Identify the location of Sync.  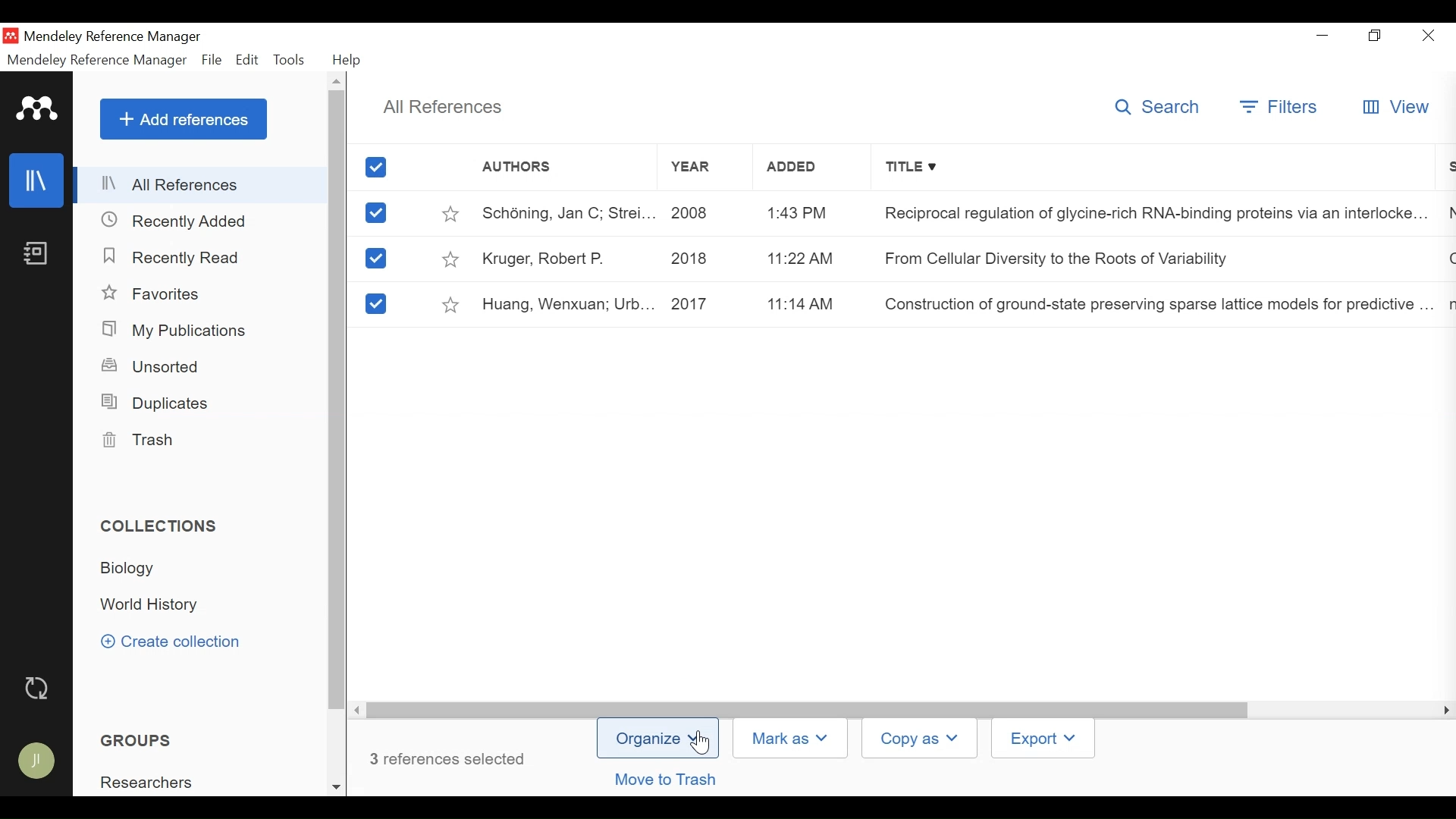
(37, 689).